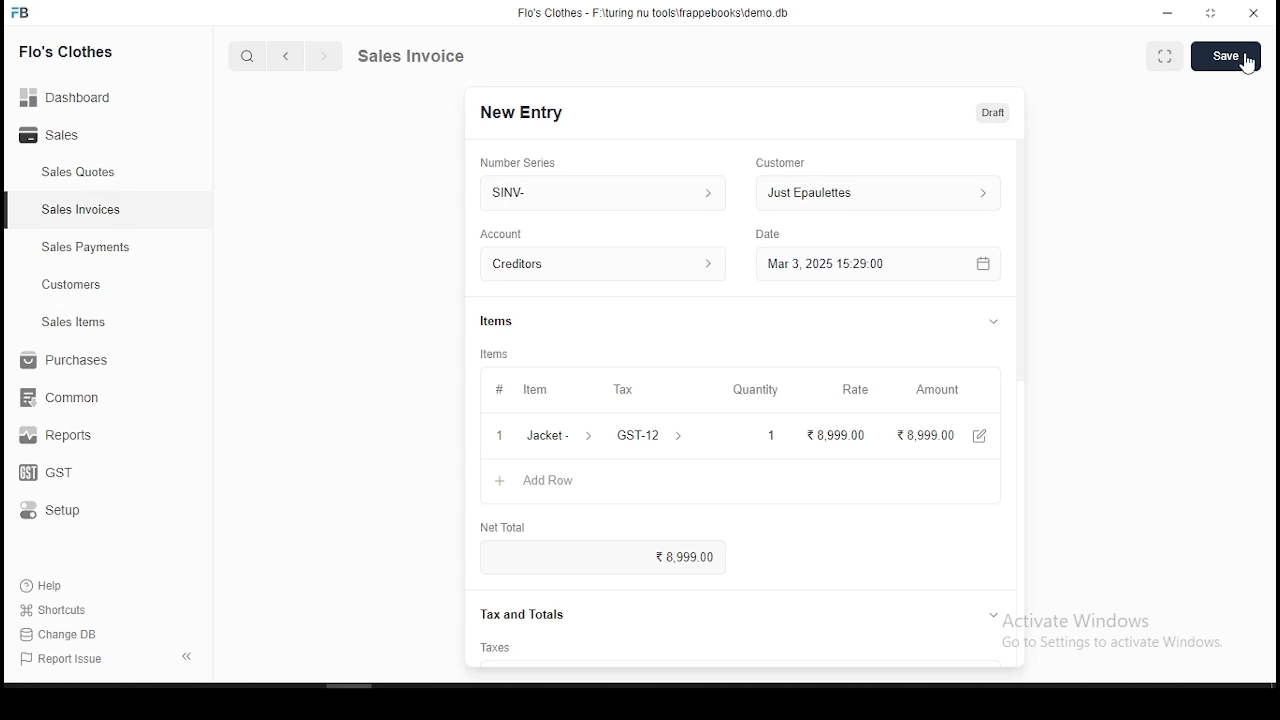 The image size is (1280, 720). Describe the element at coordinates (75, 285) in the screenshot. I see `customers` at that location.